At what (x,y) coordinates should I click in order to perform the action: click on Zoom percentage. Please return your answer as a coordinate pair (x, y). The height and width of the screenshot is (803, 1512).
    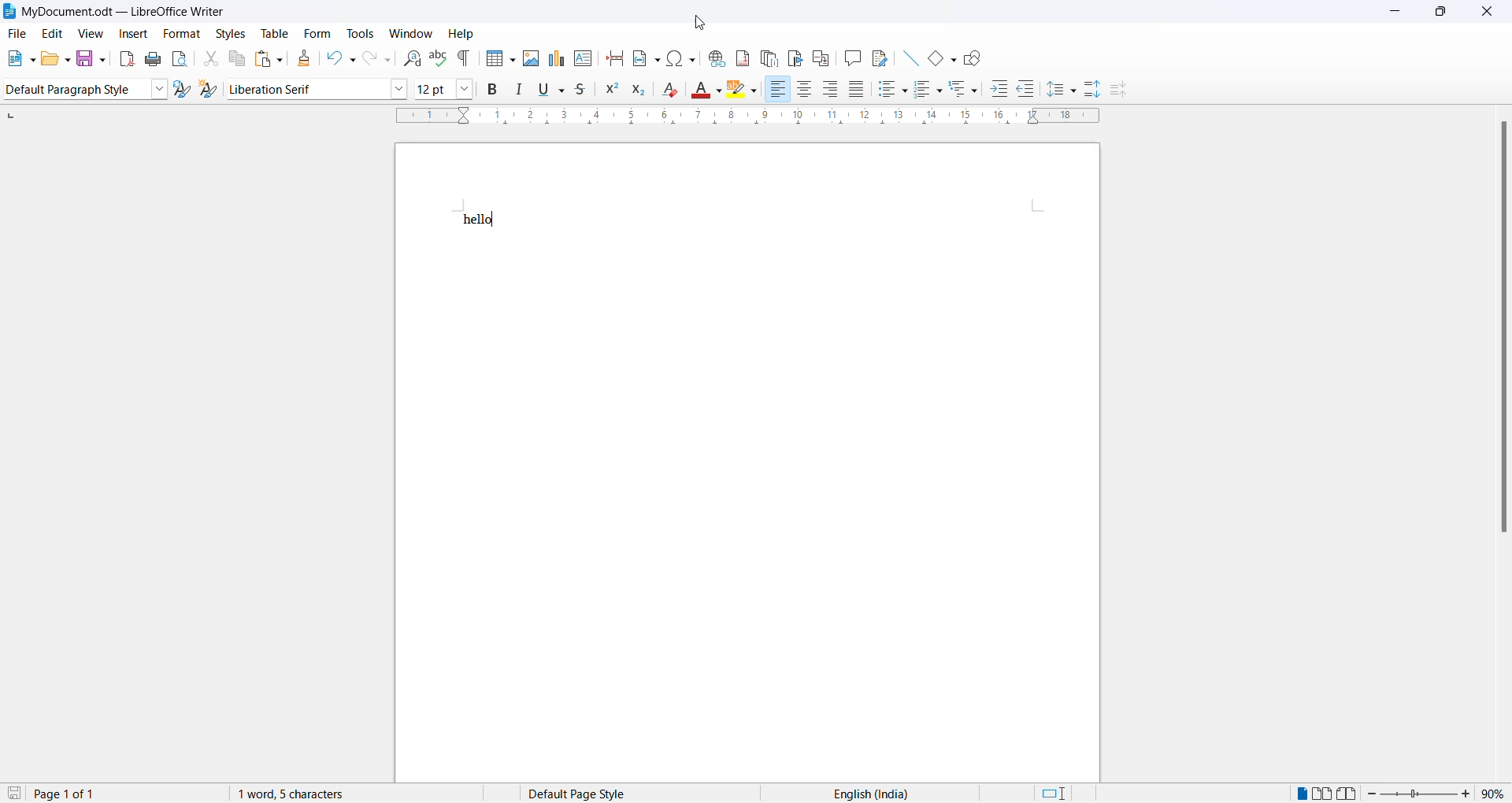
    Looking at the image, I should click on (1493, 794).